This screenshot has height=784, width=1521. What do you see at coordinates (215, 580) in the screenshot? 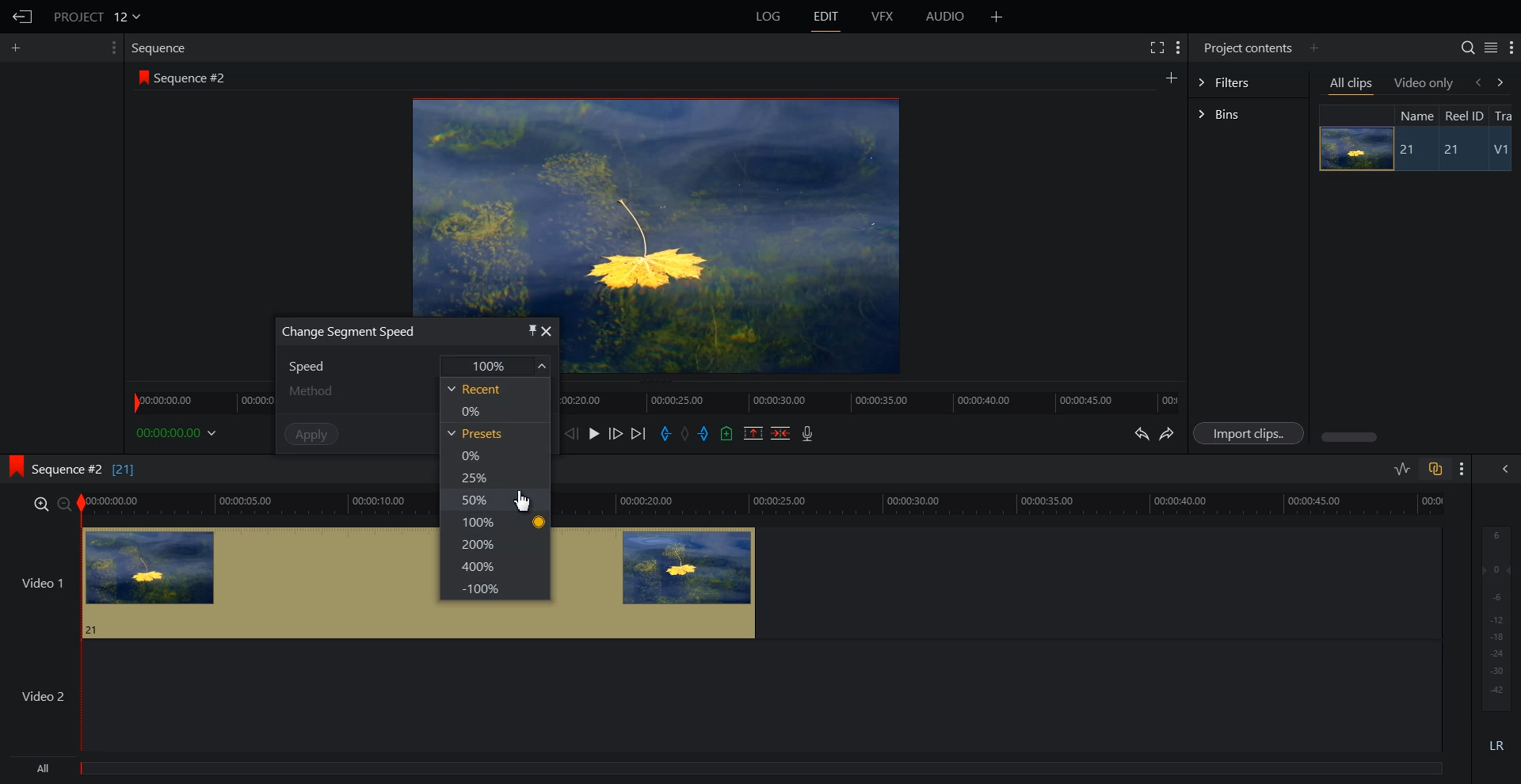
I see `video 1` at bounding box center [215, 580].